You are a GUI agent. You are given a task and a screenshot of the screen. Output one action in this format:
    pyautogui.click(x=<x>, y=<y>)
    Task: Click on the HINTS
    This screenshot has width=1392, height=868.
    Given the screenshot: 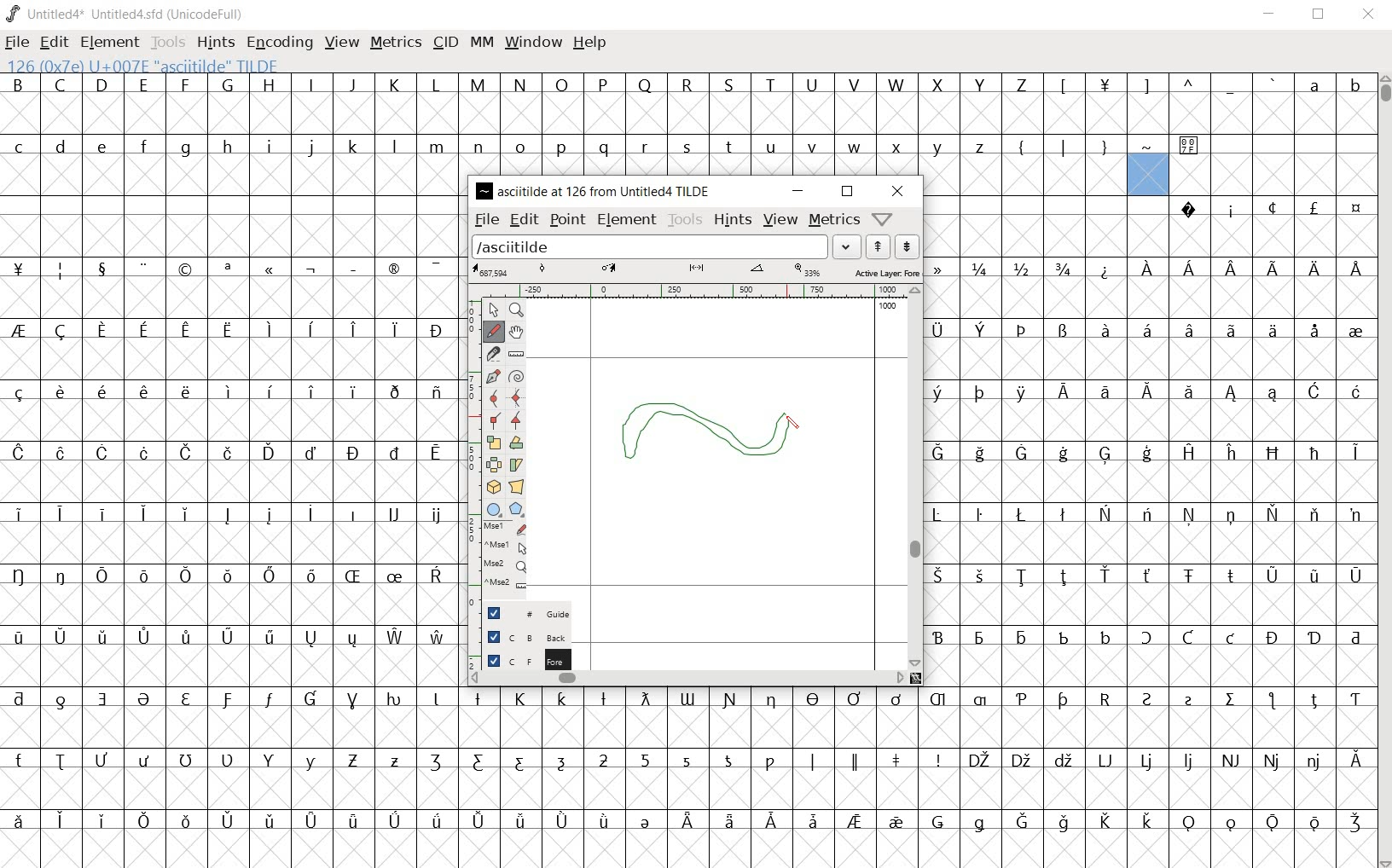 What is the action you would take?
    pyautogui.click(x=214, y=42)
    